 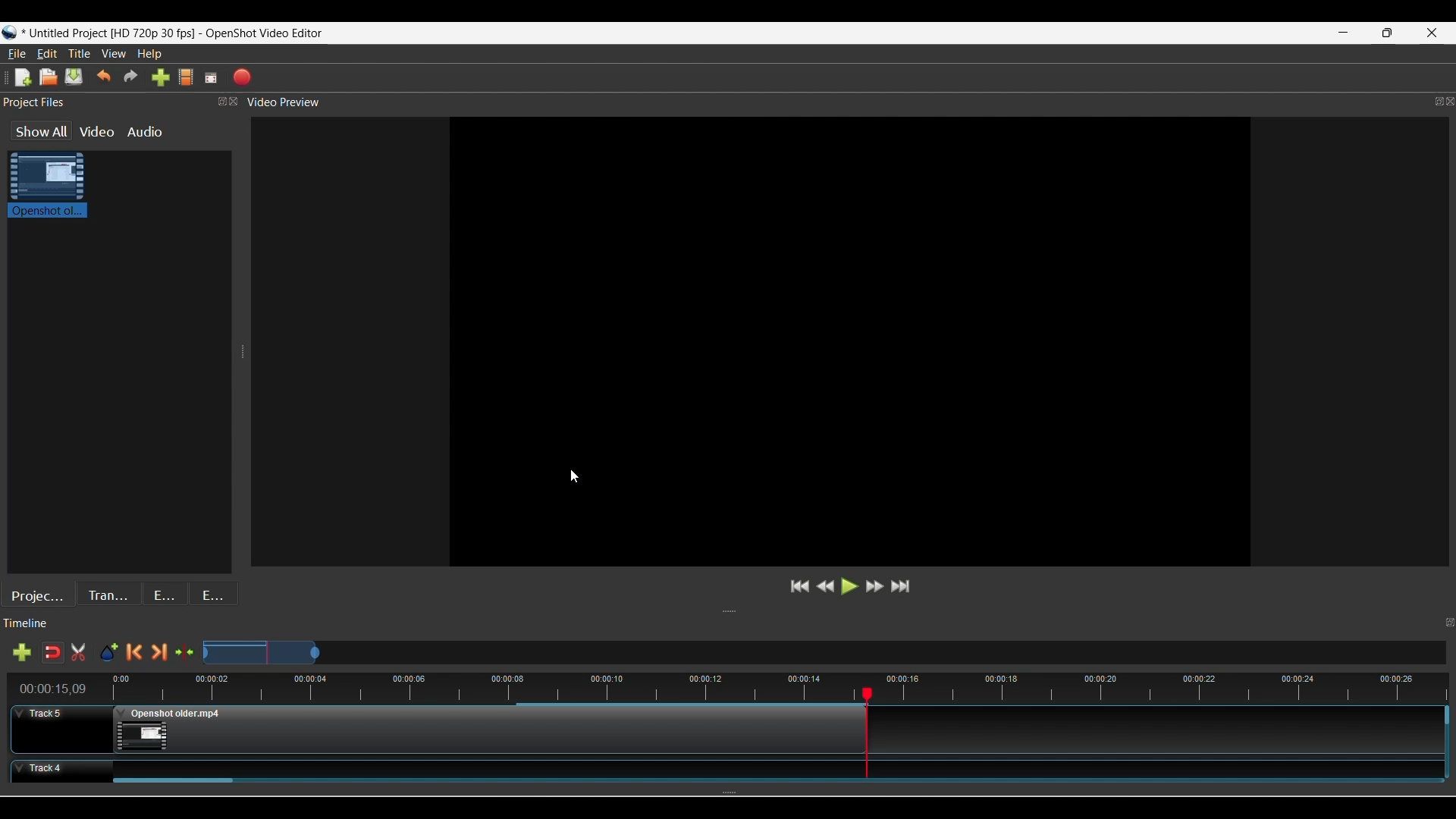 I want to click on Cut, so click(x=78, y=652).